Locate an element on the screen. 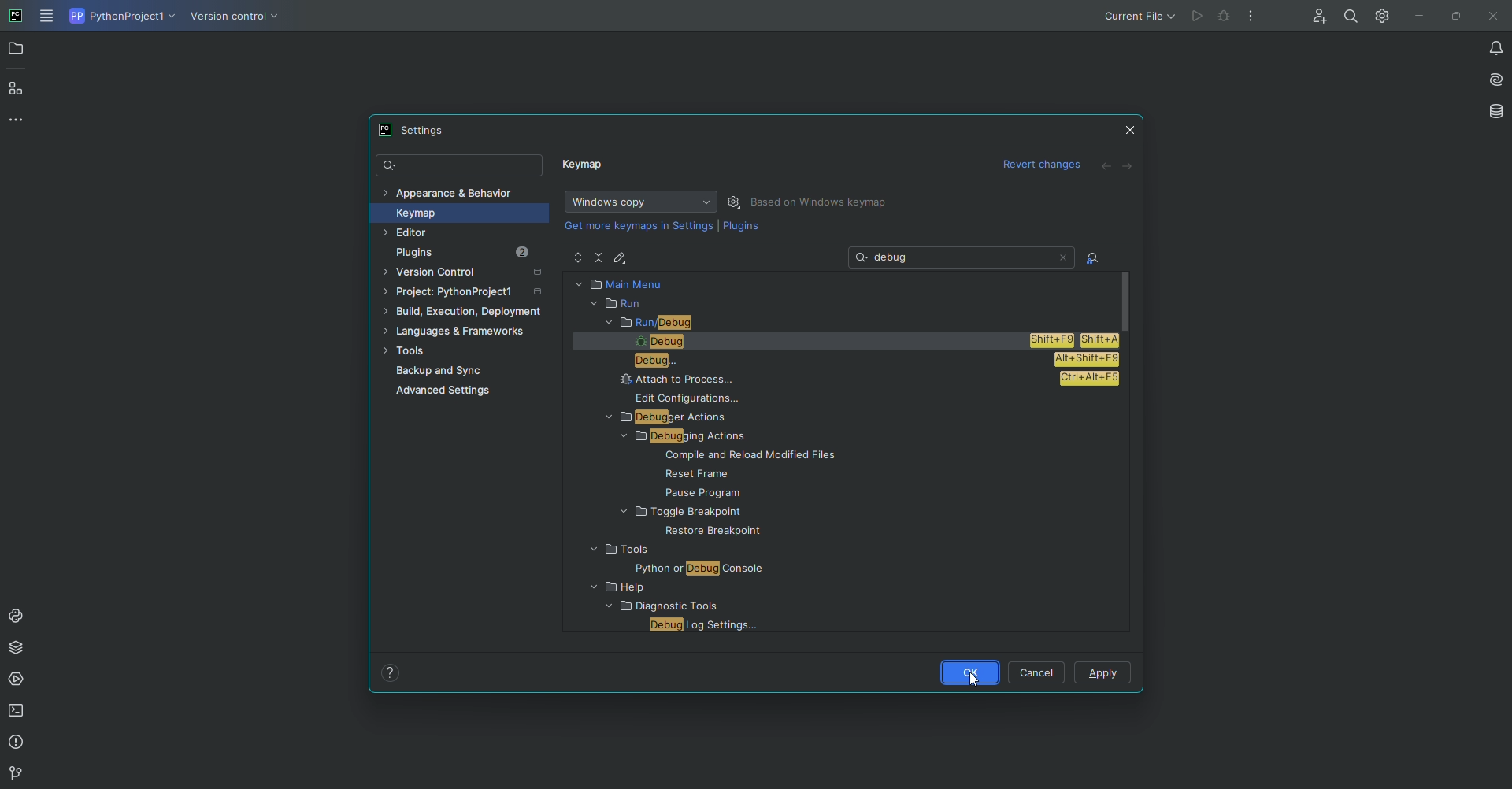 This screenshot has width=1512, height=789. Cancel is located at coordinates (1039, 672).